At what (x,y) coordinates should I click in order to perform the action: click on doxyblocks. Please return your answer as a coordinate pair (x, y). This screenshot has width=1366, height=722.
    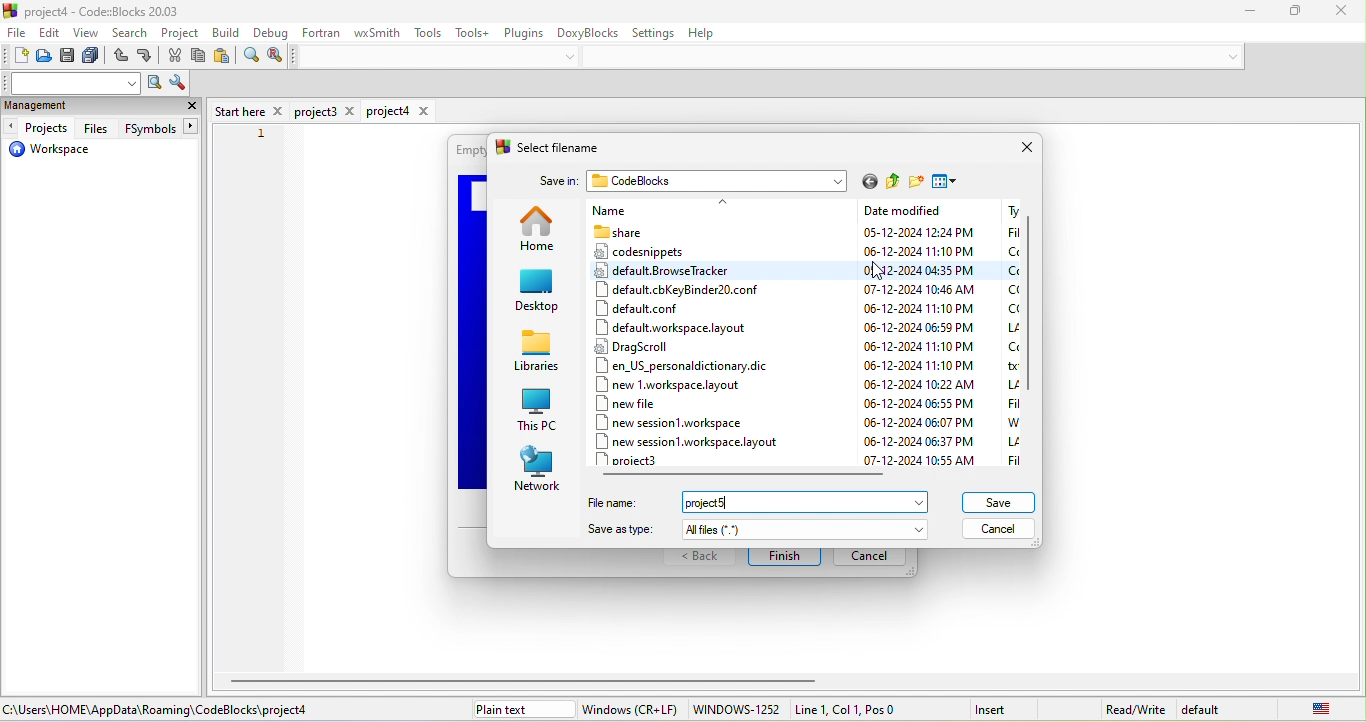
    Looking at the image, I should click on (588, 31).